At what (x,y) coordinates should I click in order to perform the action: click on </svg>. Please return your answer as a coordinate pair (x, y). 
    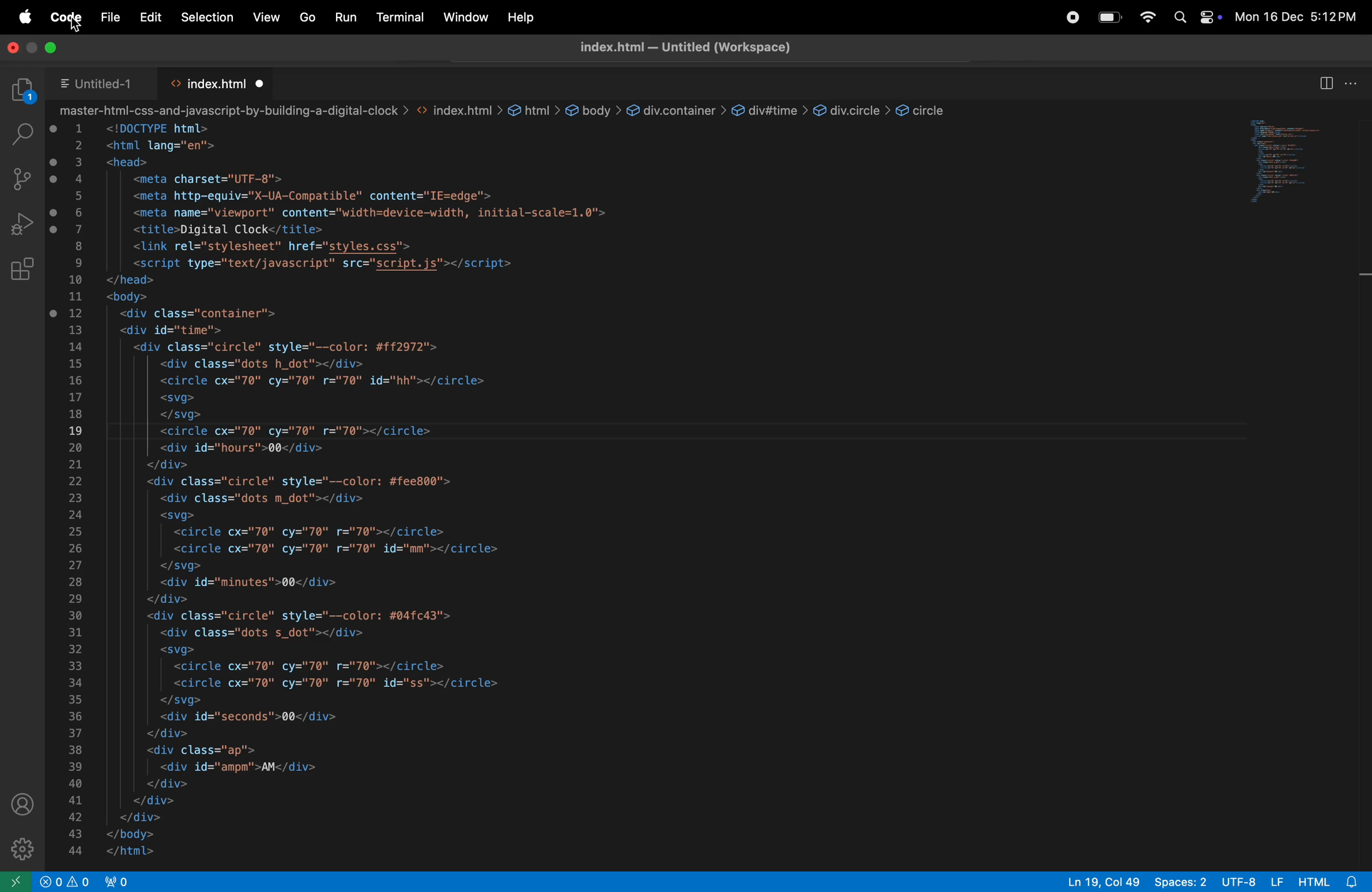
    Looking at the image, I should click on (187, 701).